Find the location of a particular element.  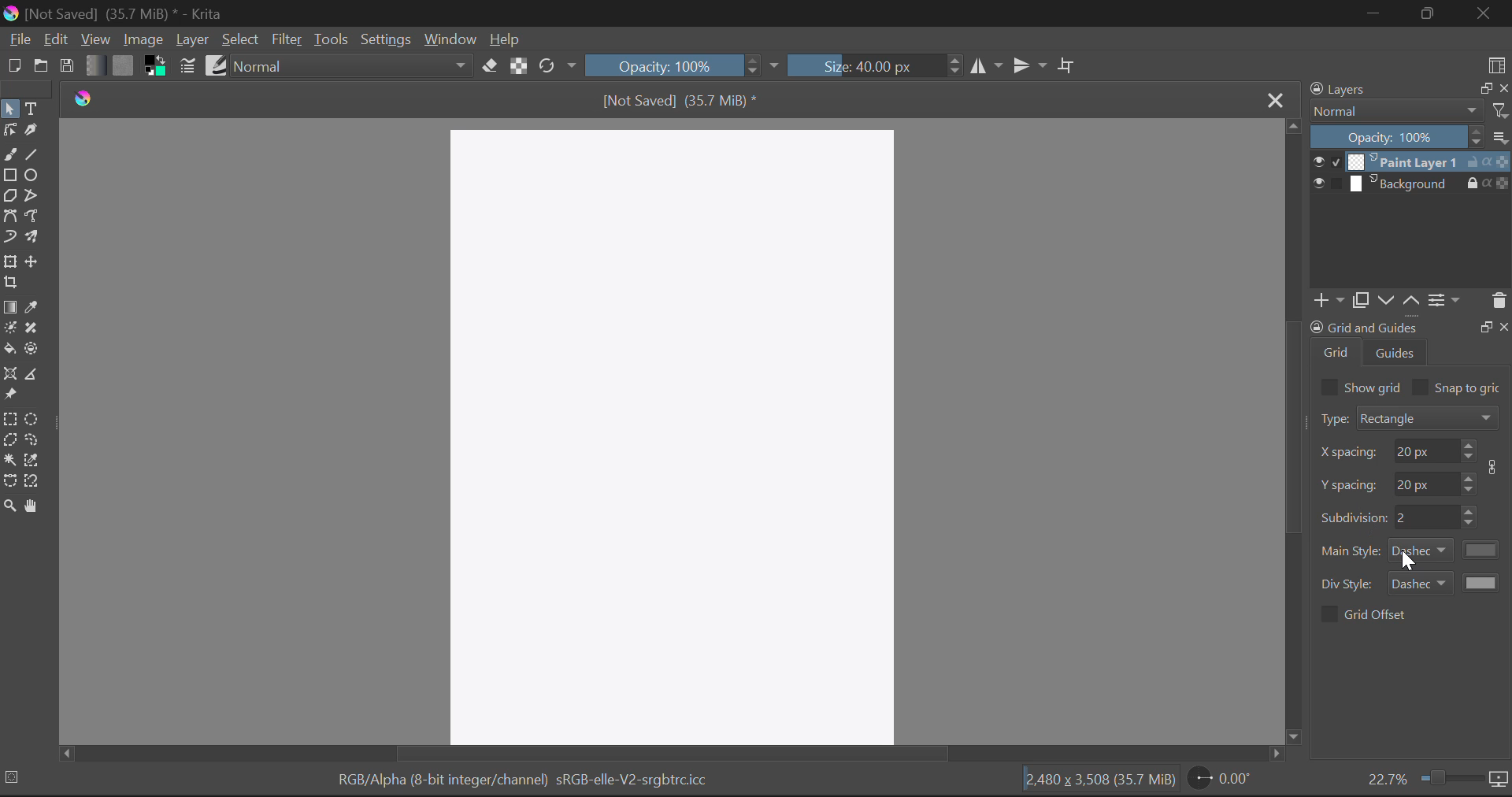

RGB/Alpha (8-bit integer/channel) sRGB-elle-V2-srgbtrc.icc is located at coordinates (524, 780).